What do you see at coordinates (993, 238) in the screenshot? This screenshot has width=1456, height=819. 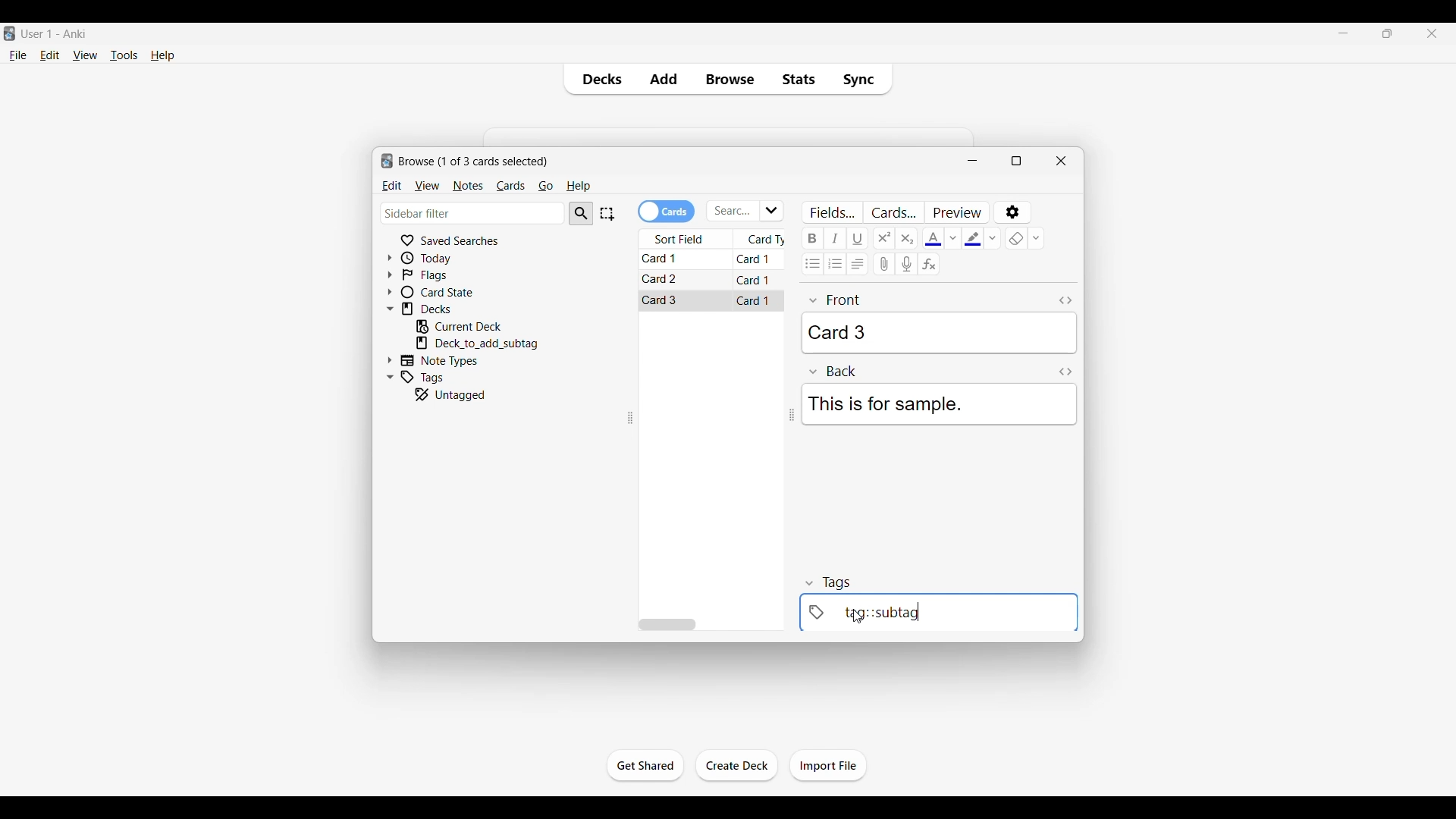 I see `Text highlight color options` at bounding box center [993, 238].